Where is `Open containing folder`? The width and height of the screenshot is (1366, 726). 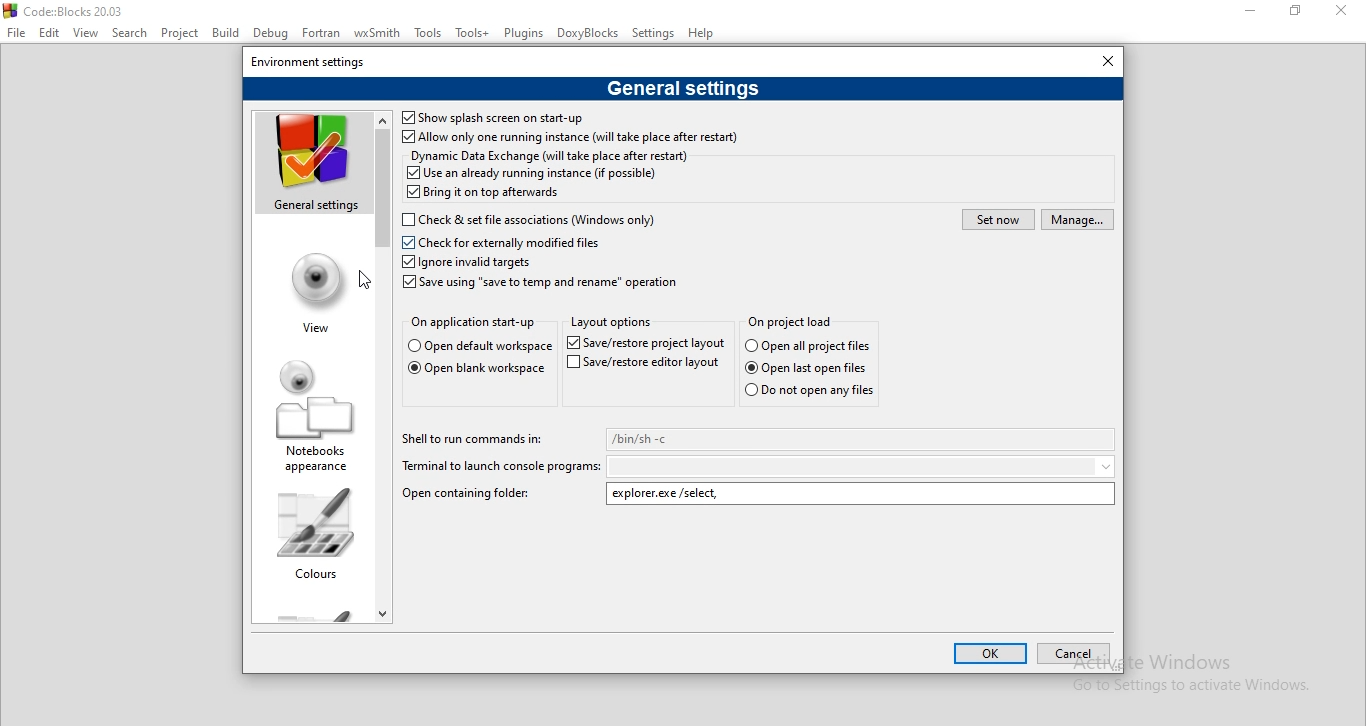
Open containing folder is located at coordinates (487, 494).